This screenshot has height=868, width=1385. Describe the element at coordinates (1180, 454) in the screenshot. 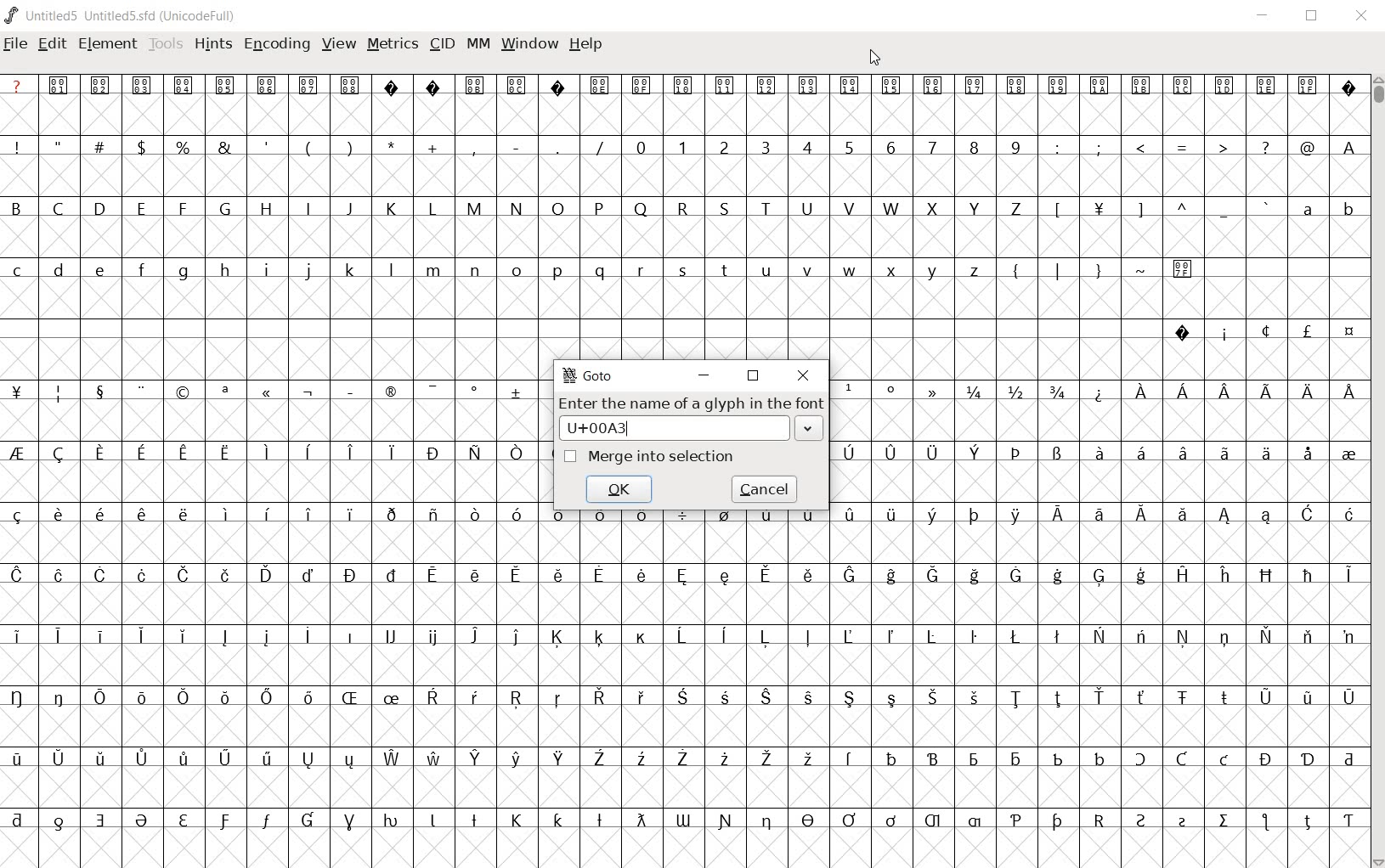

I see `Symbol` at that location.